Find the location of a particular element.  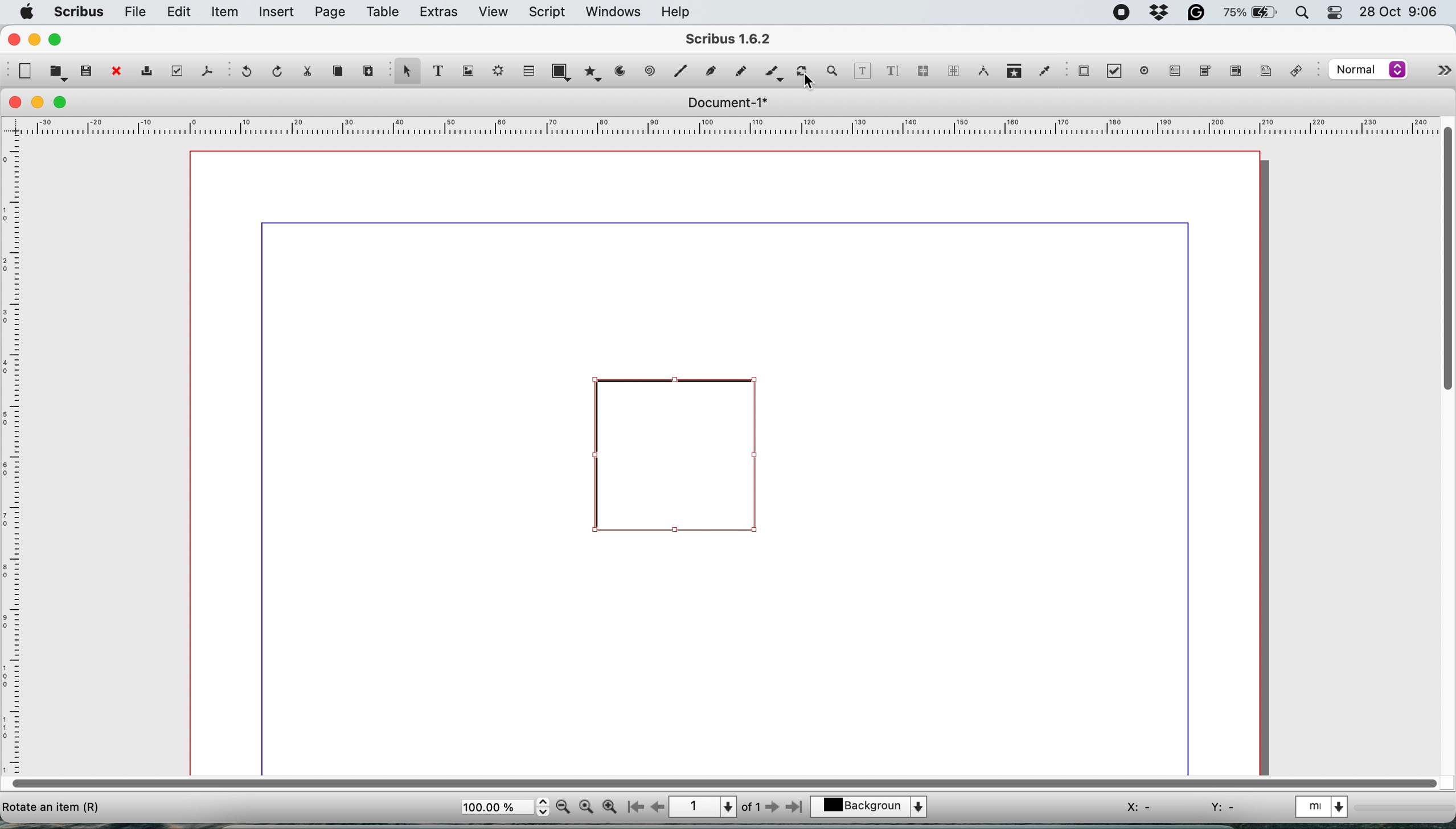

close is located at coordinates (16, 103).